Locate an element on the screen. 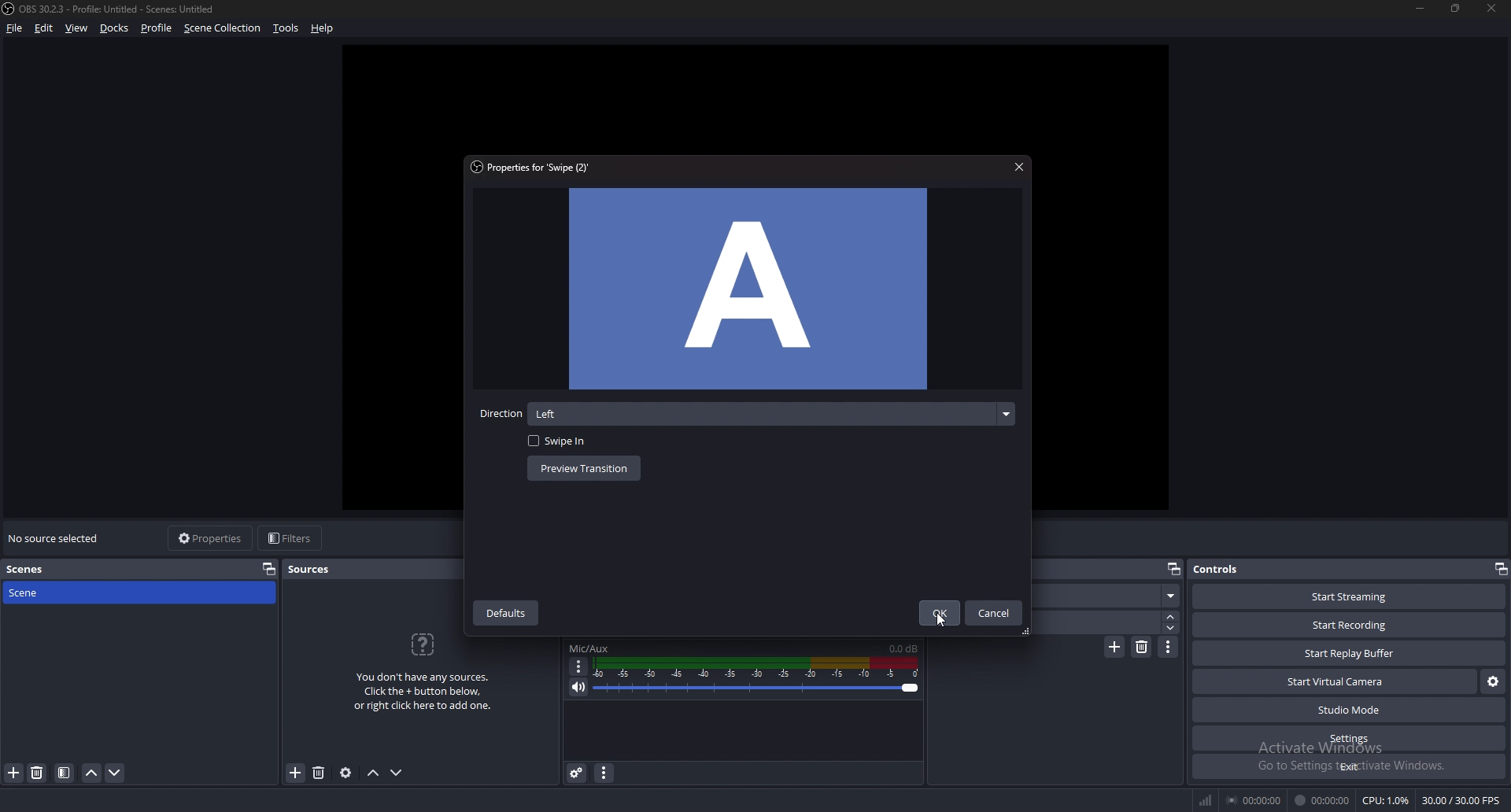 This screenshot has height=812, width=1511. cancel is located at coordinates (994, 614).